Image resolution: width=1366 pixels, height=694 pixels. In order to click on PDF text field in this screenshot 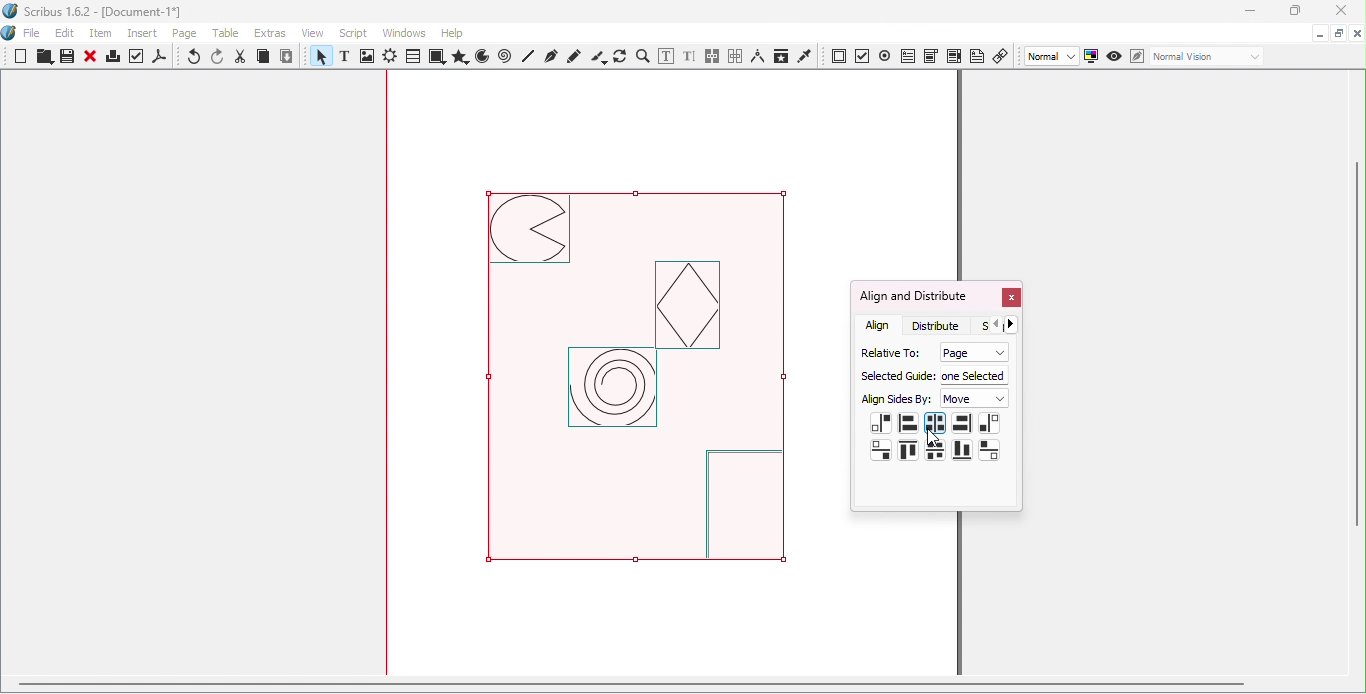, I will do `click(907, 54)`.